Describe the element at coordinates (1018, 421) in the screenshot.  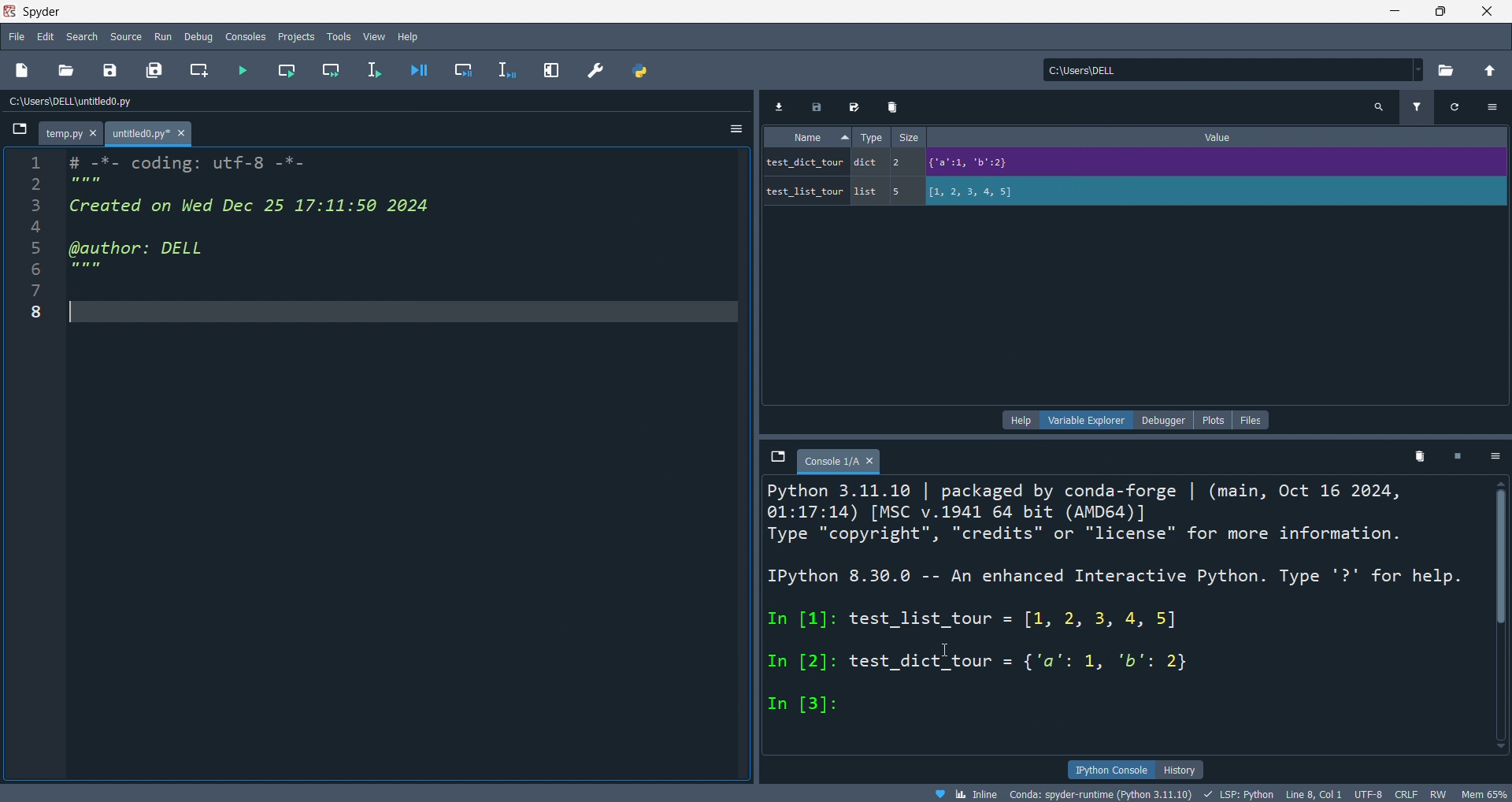
I see `help ` at that location.